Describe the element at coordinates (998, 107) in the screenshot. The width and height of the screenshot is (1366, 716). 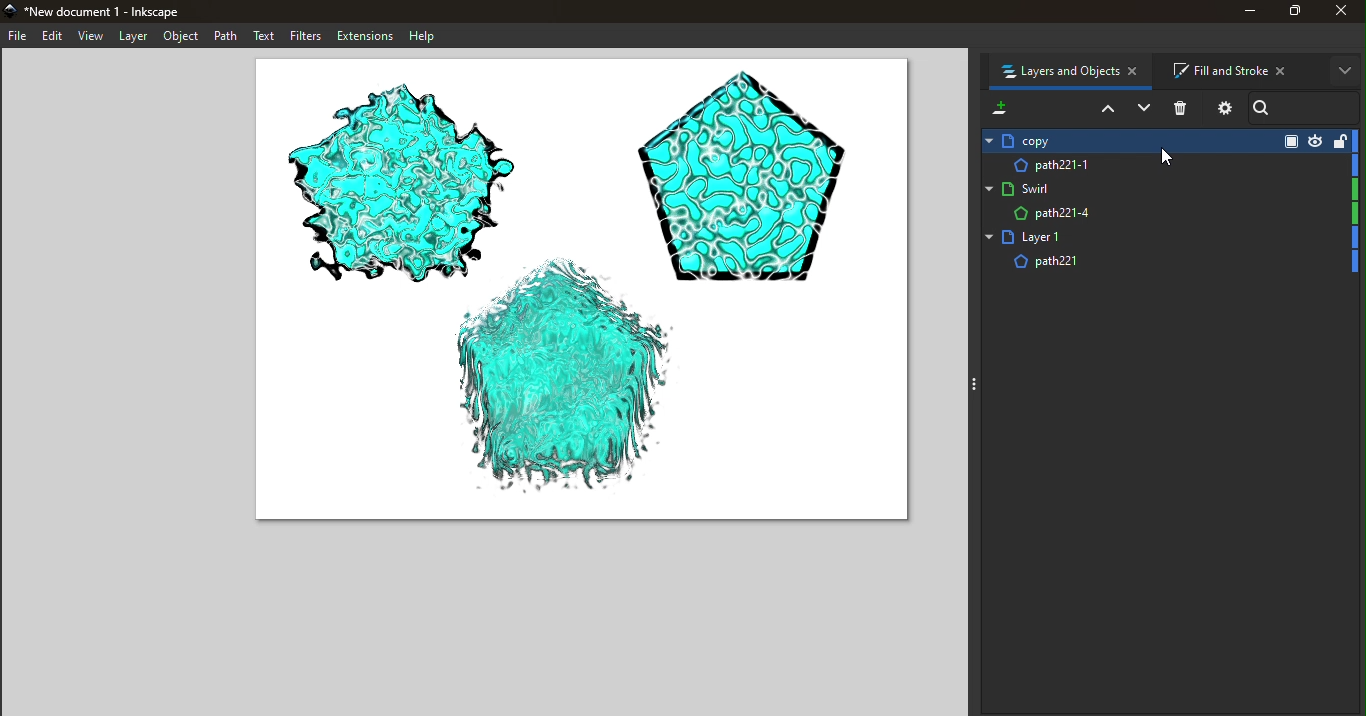
I see `Add new layer` at that location.